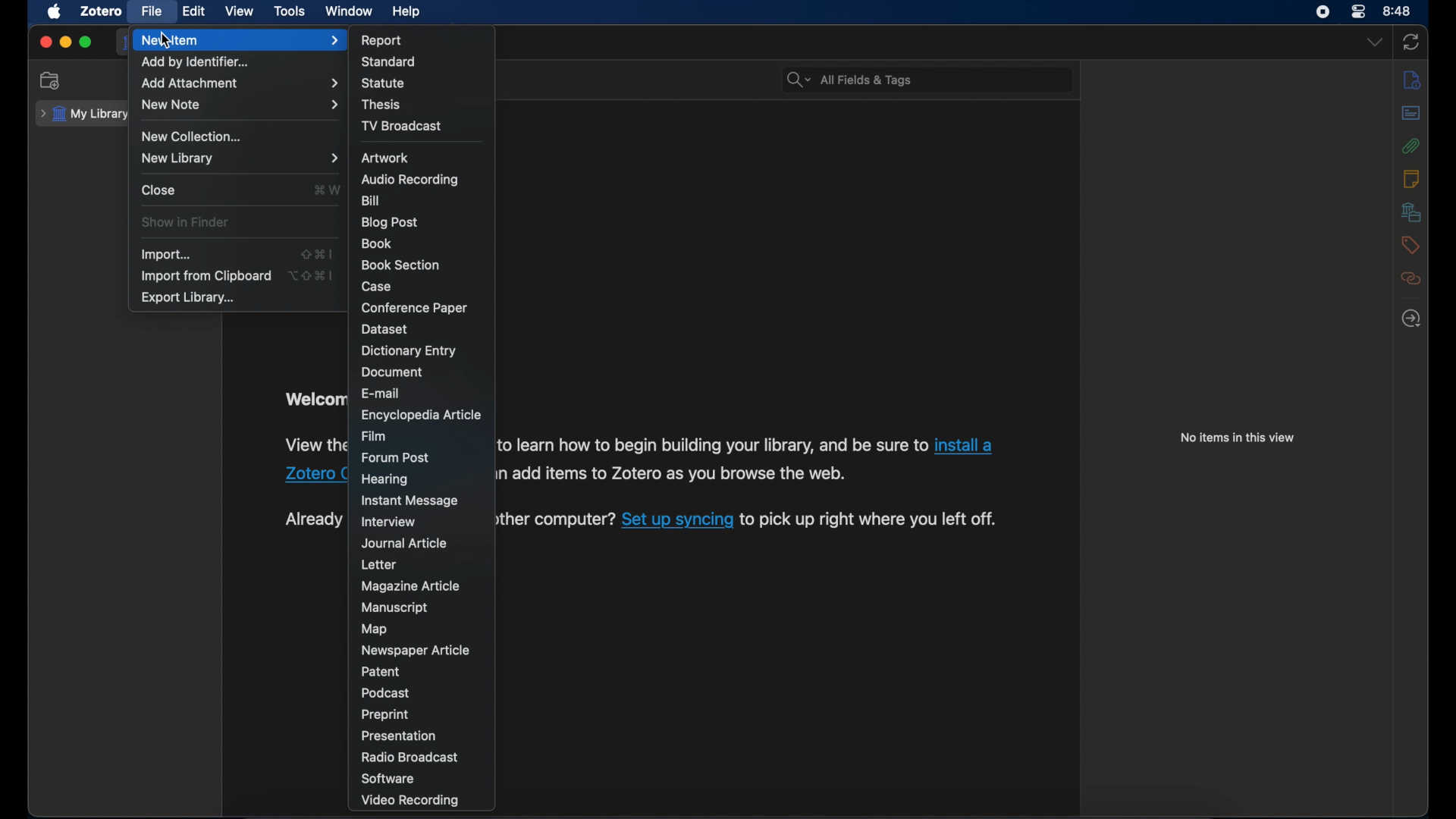 The width and height of the screenshot is (1456, 819). I want to click on artwork, so click(386, 158).